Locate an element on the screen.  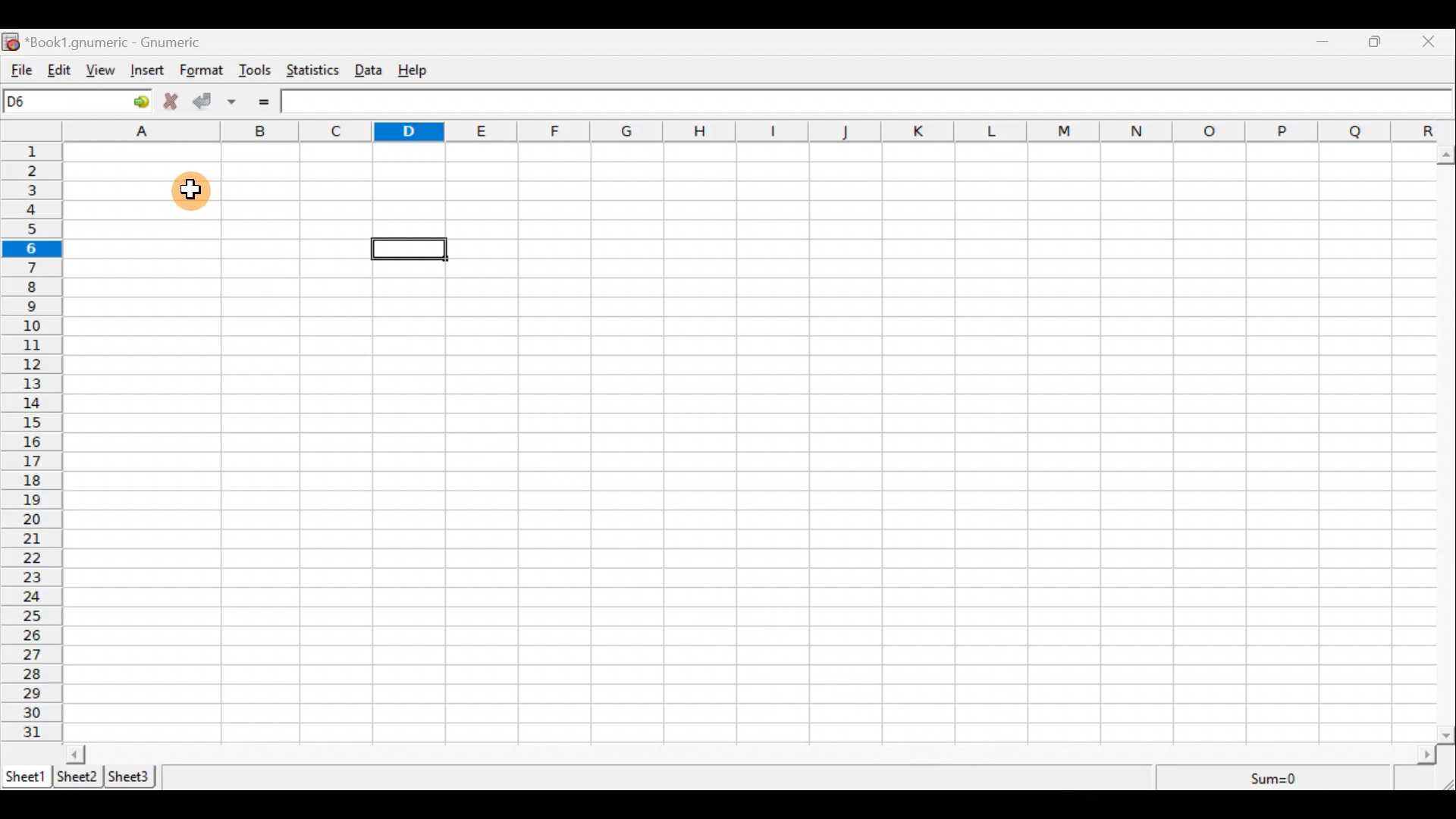
Sheet 2 is located at coordinates (77, 776).